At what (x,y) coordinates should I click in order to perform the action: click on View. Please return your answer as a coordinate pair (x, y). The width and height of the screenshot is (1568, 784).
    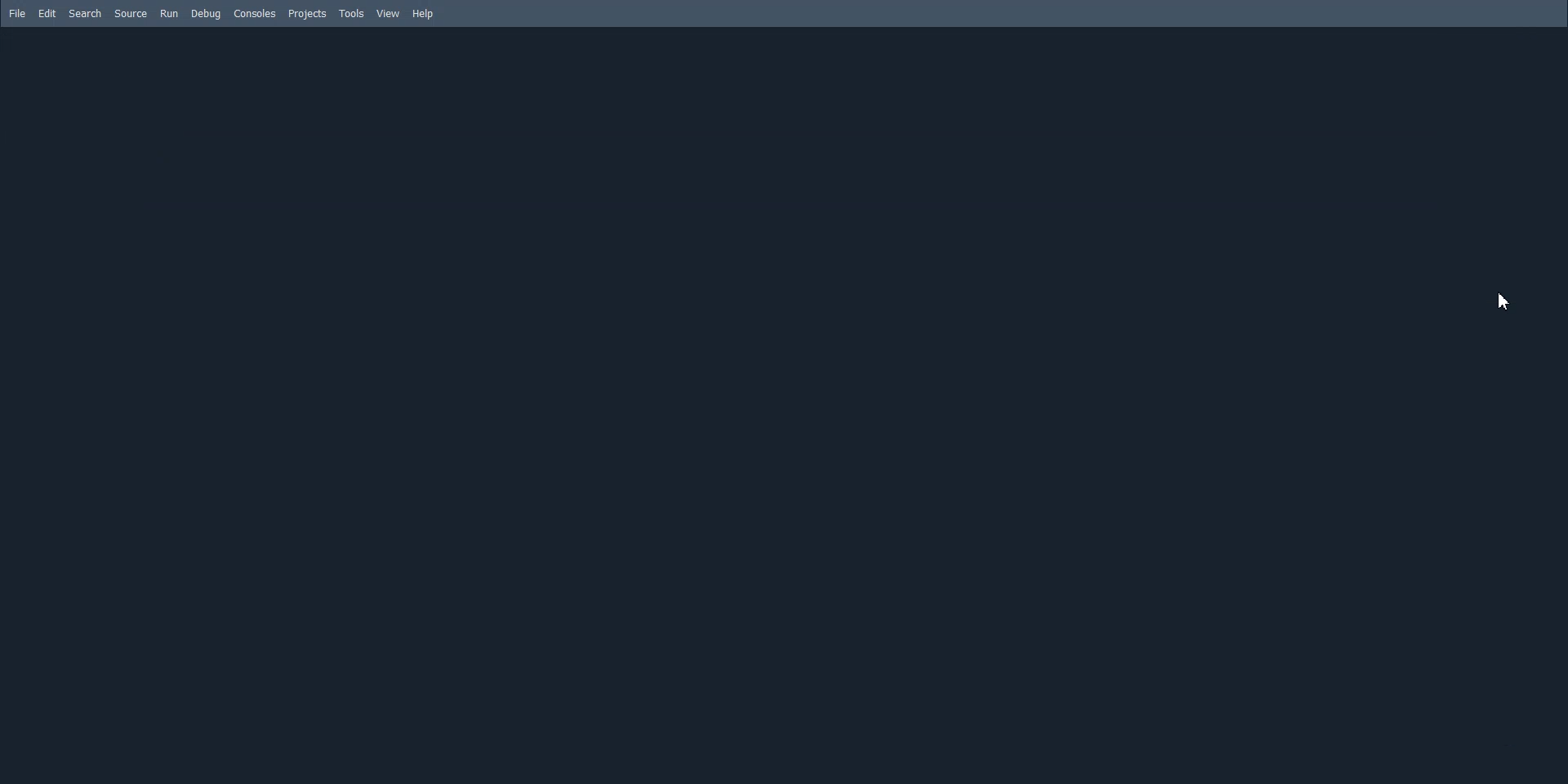
    Looking at the image, I should click on (388, 13).